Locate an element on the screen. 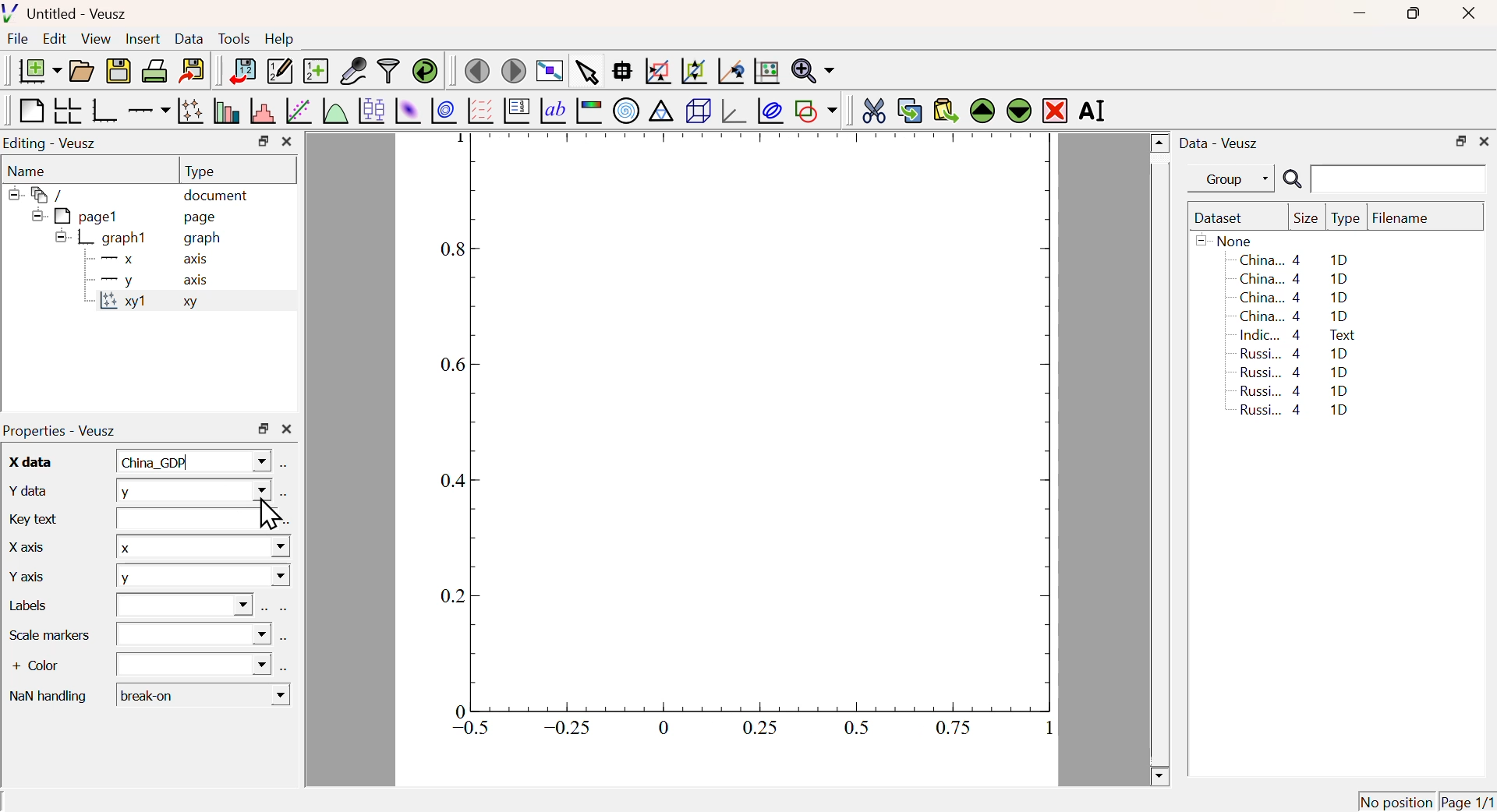 This screenshot has width=1497, height=812. 3D graph is located at coordinates (735, 112).